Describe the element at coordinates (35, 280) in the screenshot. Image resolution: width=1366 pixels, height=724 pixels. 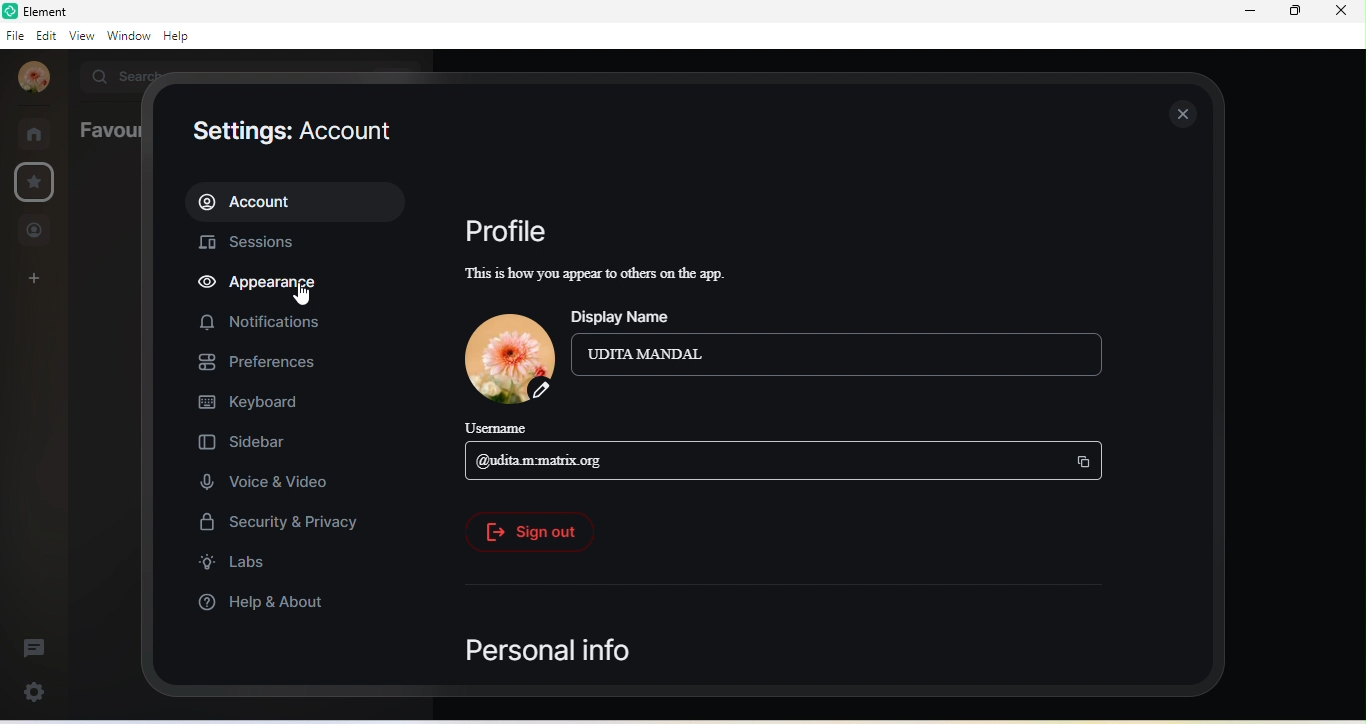
I see `create a space` at that location.